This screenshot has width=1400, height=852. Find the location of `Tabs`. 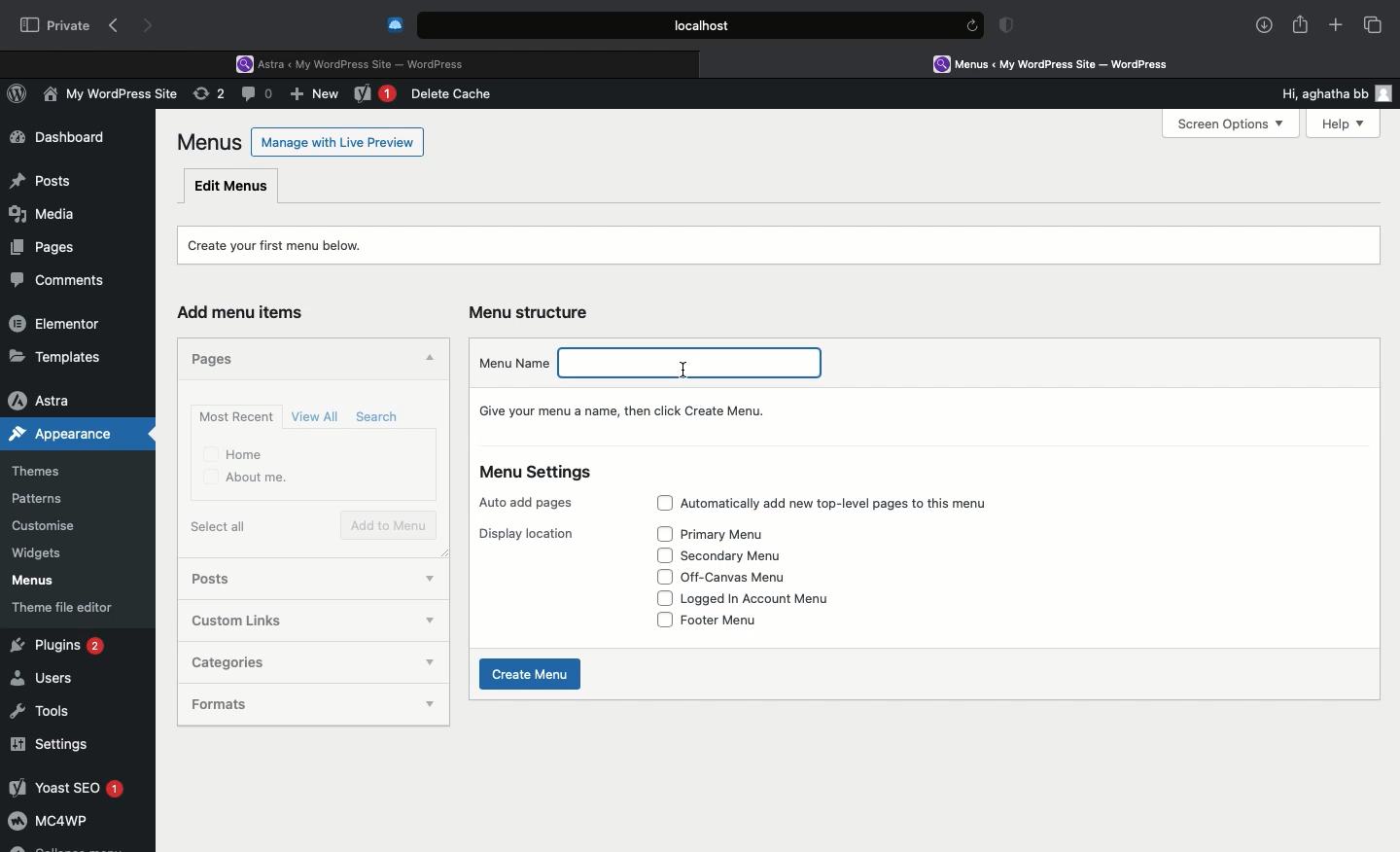

Tabs is located at coordinates (1374, 24).